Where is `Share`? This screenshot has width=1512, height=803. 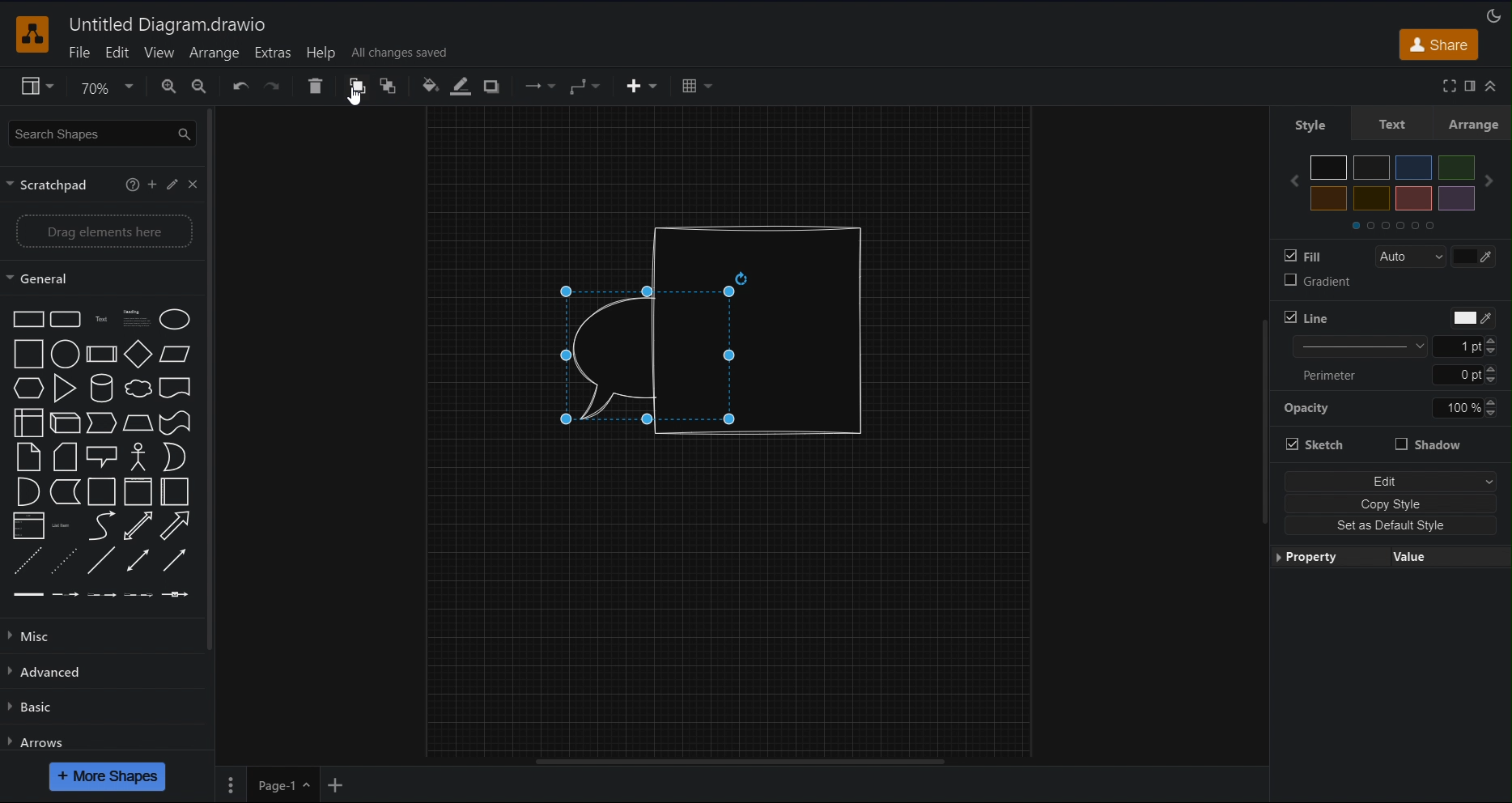
Share is located at coordinates (1438, 45).